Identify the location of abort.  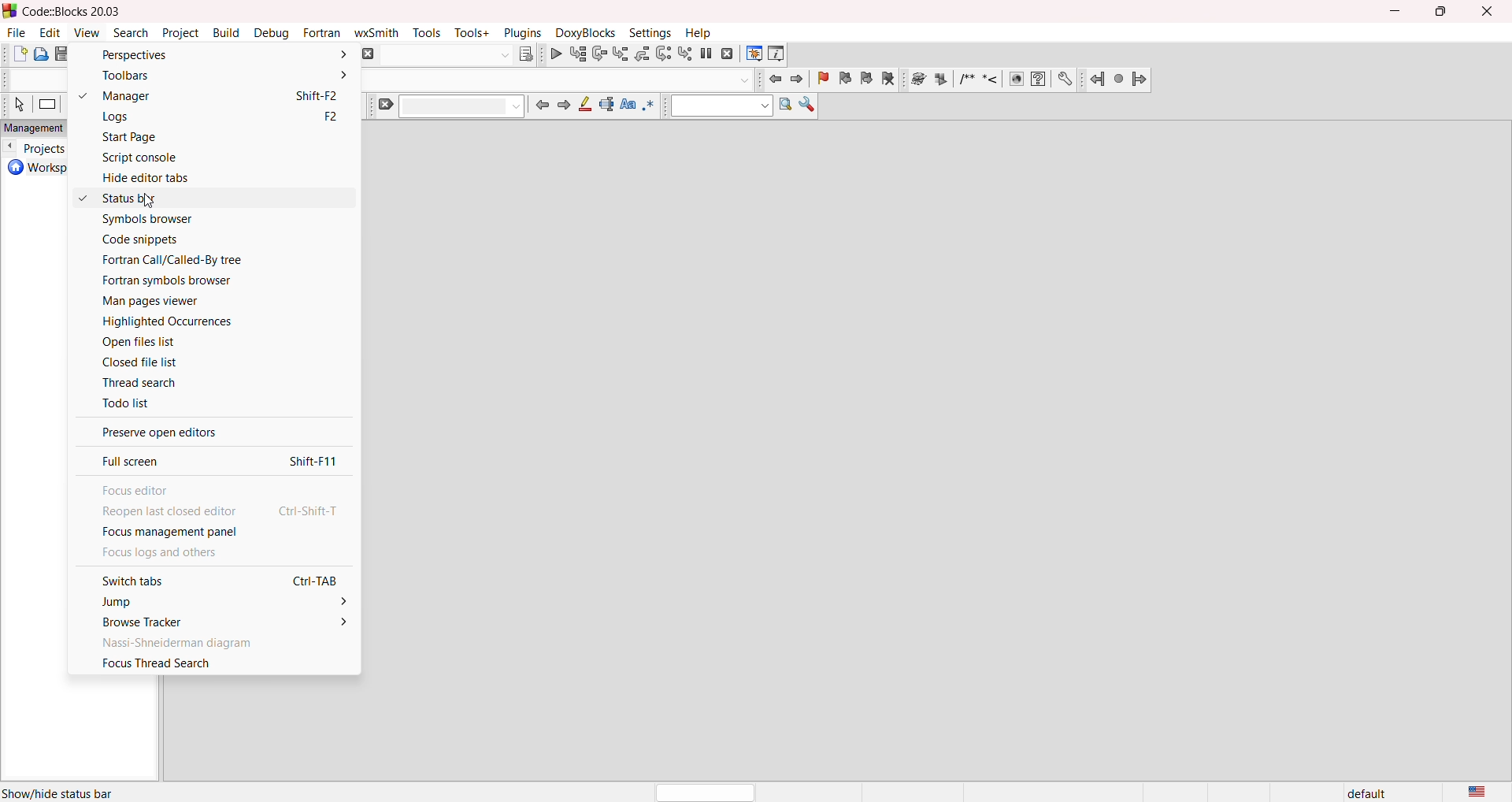
(367, 54).